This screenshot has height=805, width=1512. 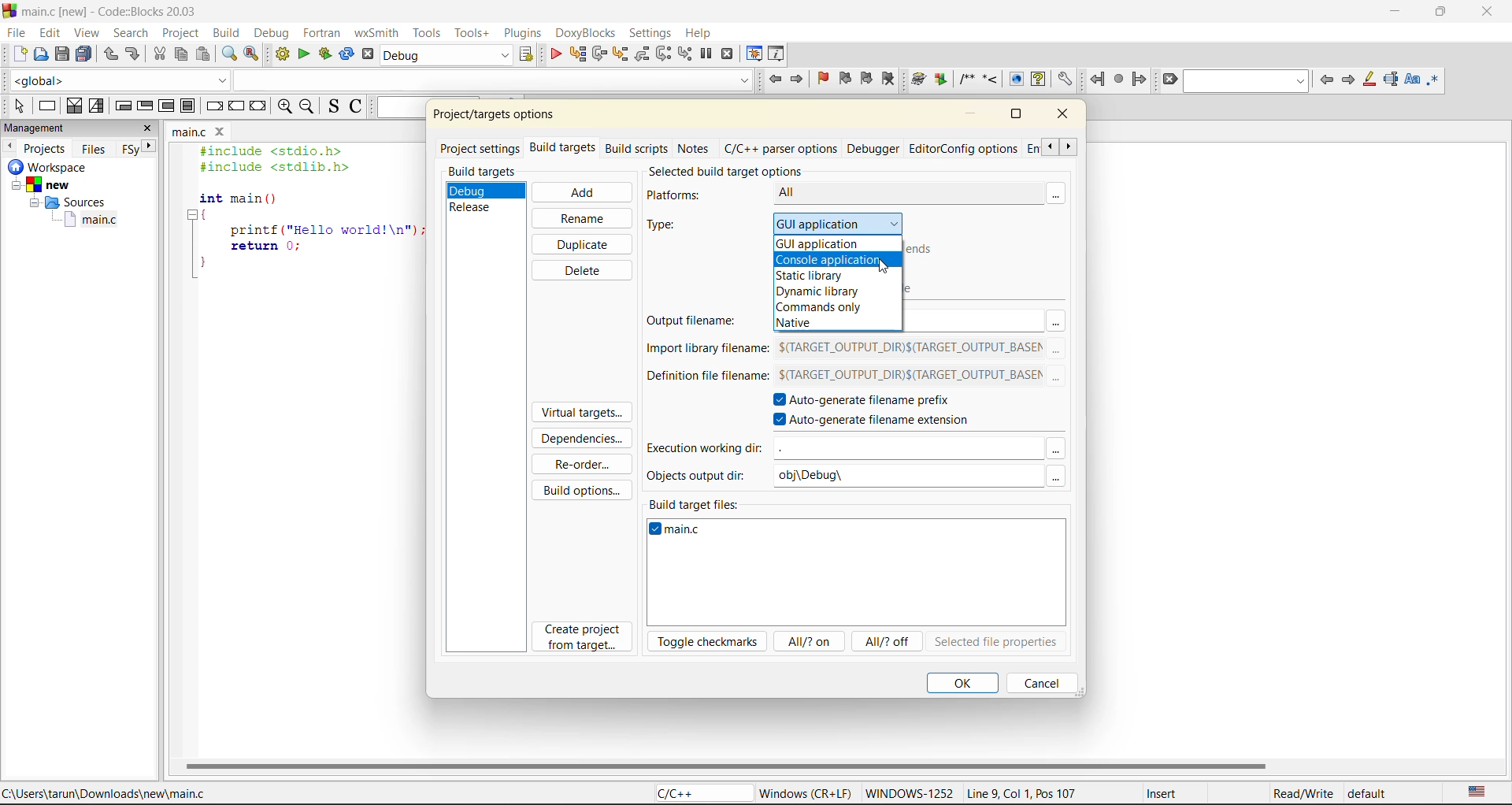 What do you see at coordinates (697, 322) in the screenshot?
I see `output filename` at bounding box center [697, 322].